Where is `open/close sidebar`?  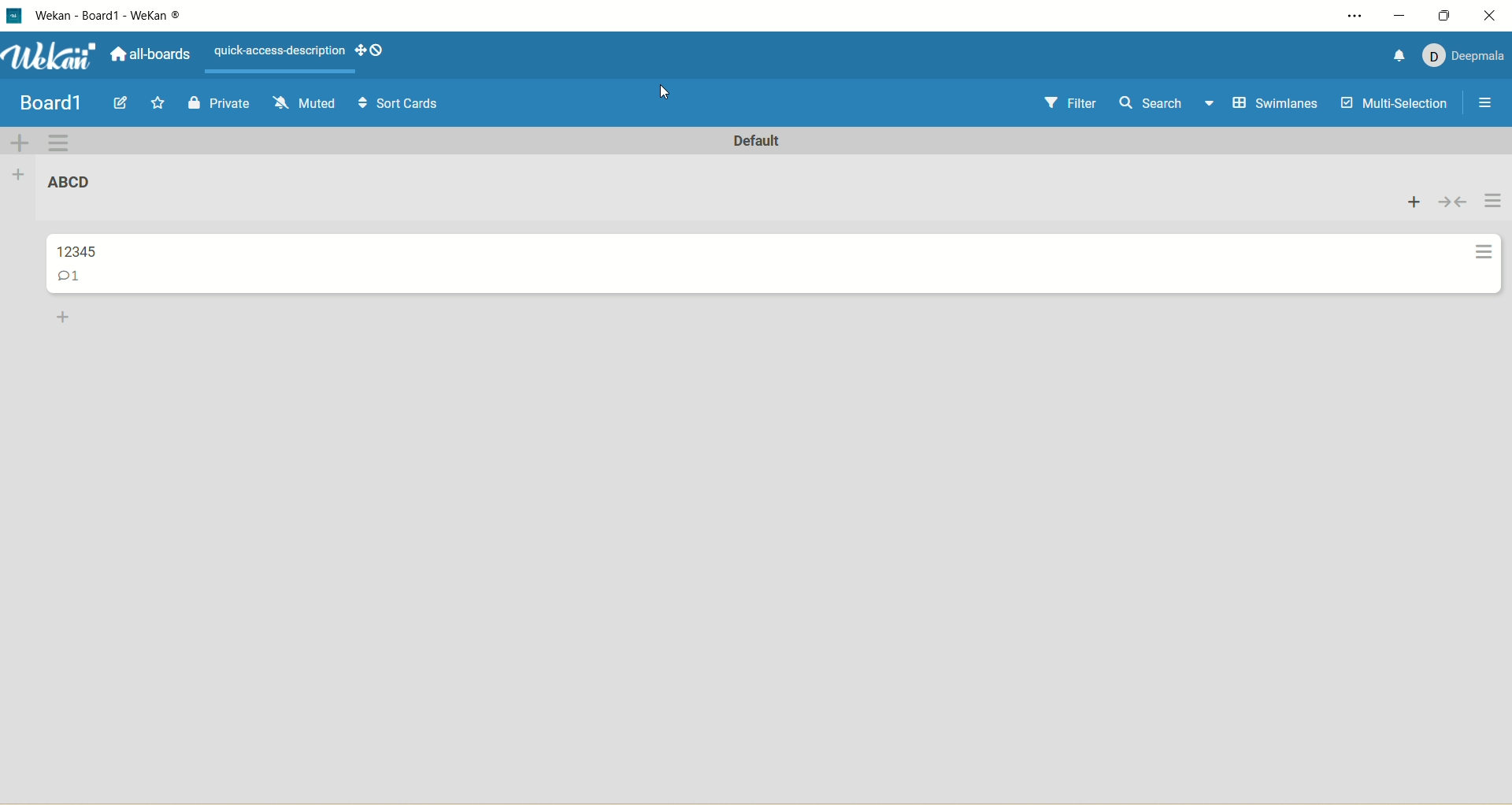 open/close sidebar is located at coordinates (1483, 104).